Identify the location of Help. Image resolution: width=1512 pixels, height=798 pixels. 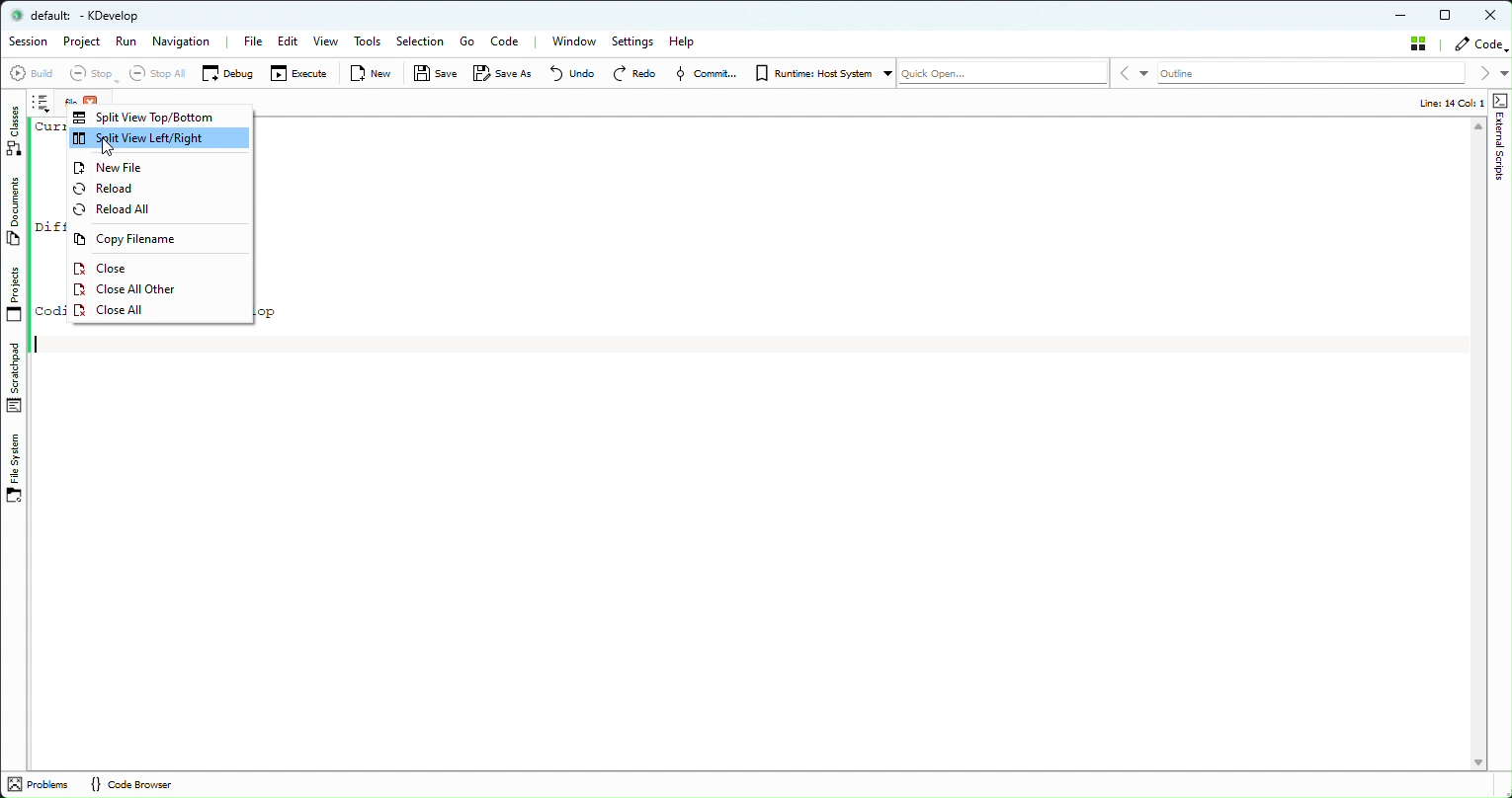
(683, 42).